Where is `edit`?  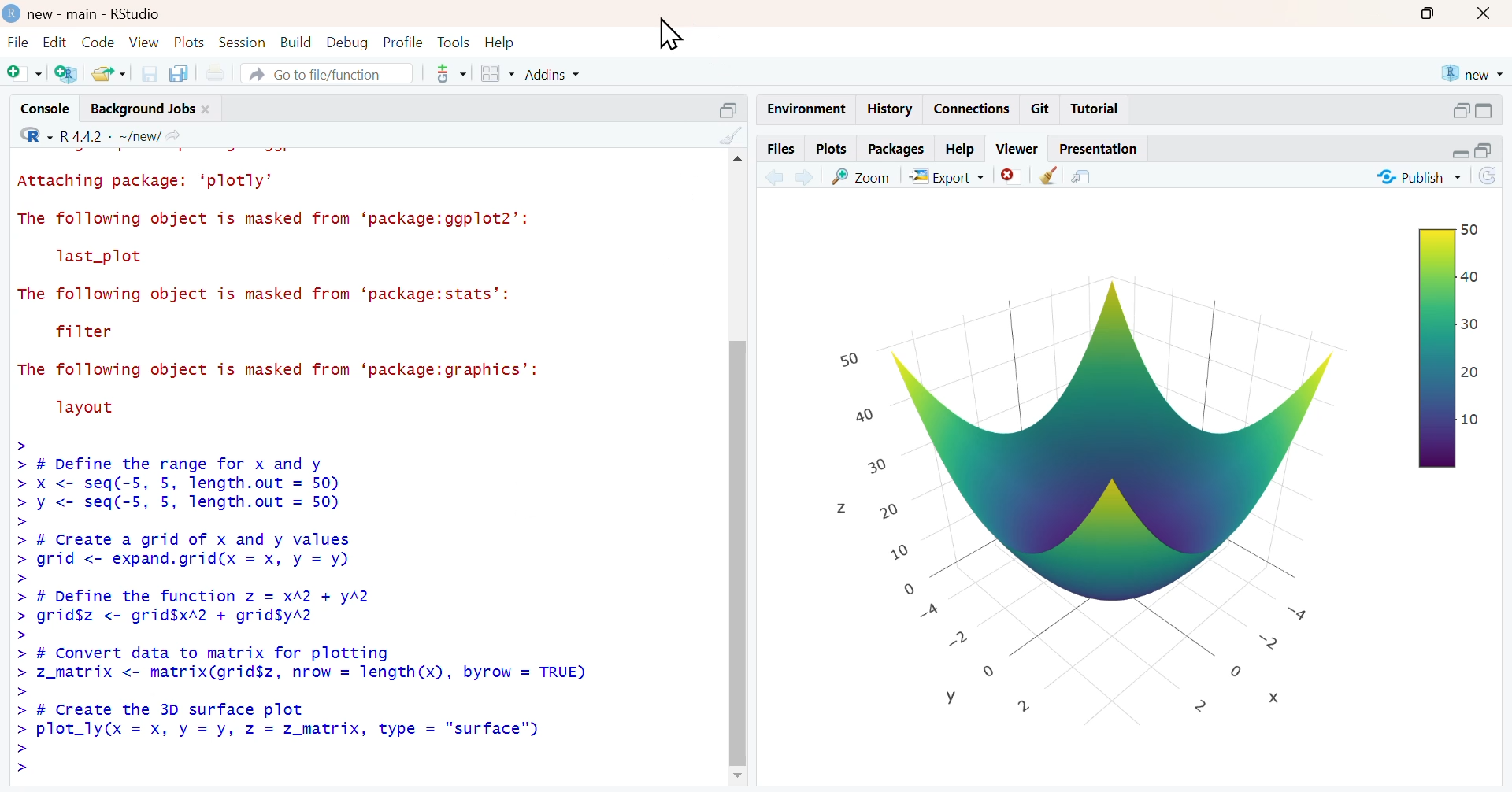 edit is located at coordinates (51, 42).